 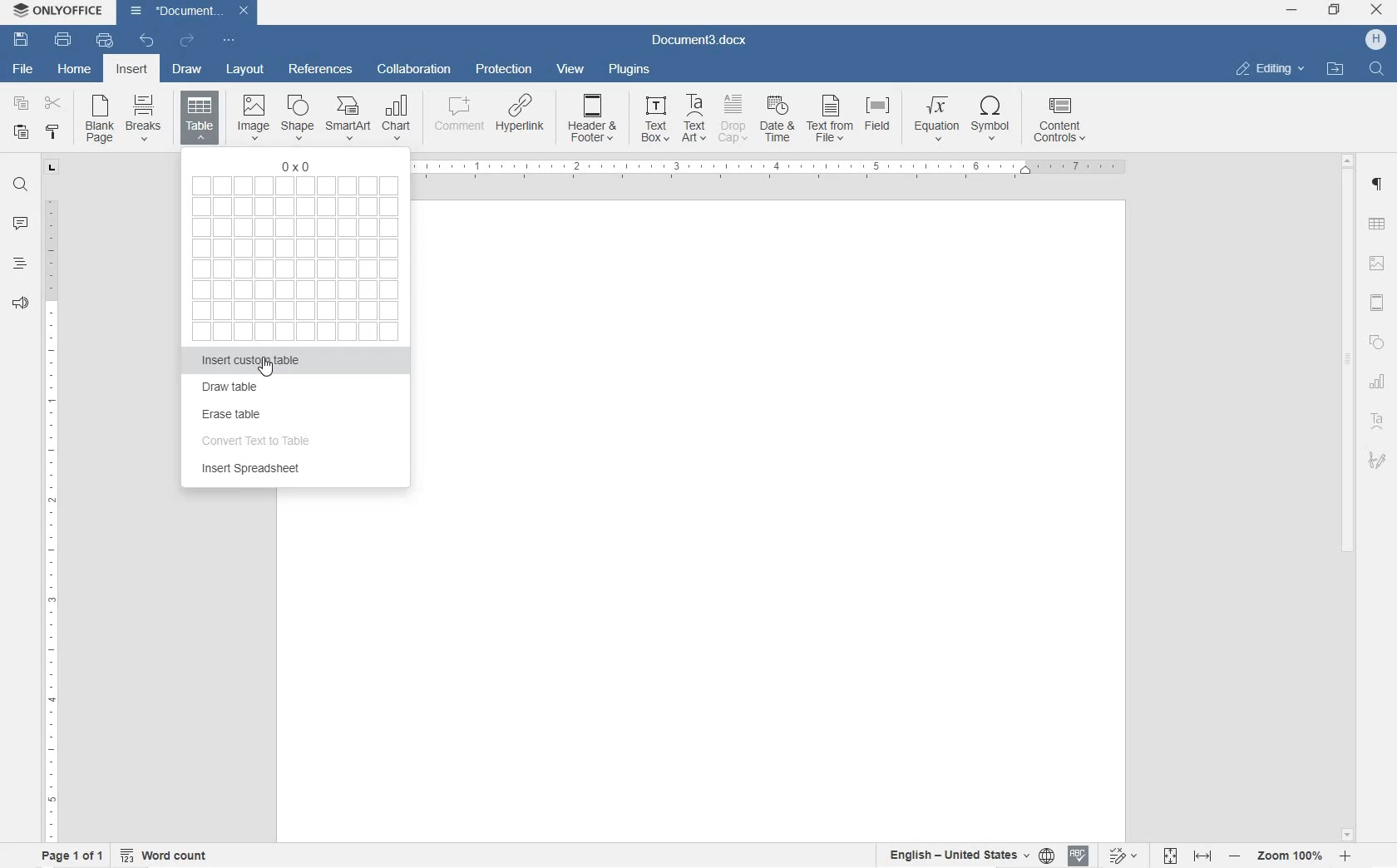 I want to click on REDO, so click(x=186, y=40).